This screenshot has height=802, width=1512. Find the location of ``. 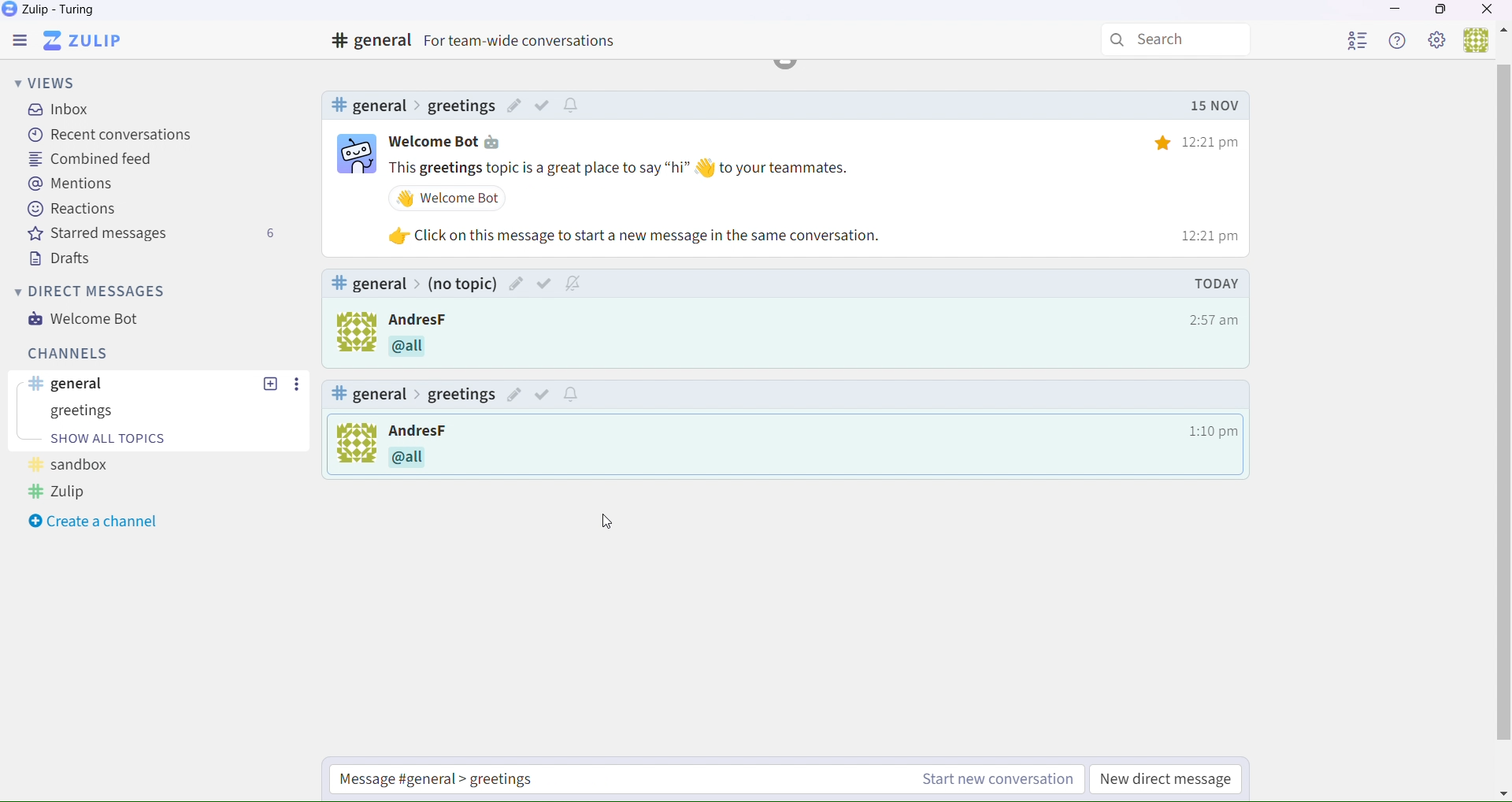

 is located at coordinates (449, 457).